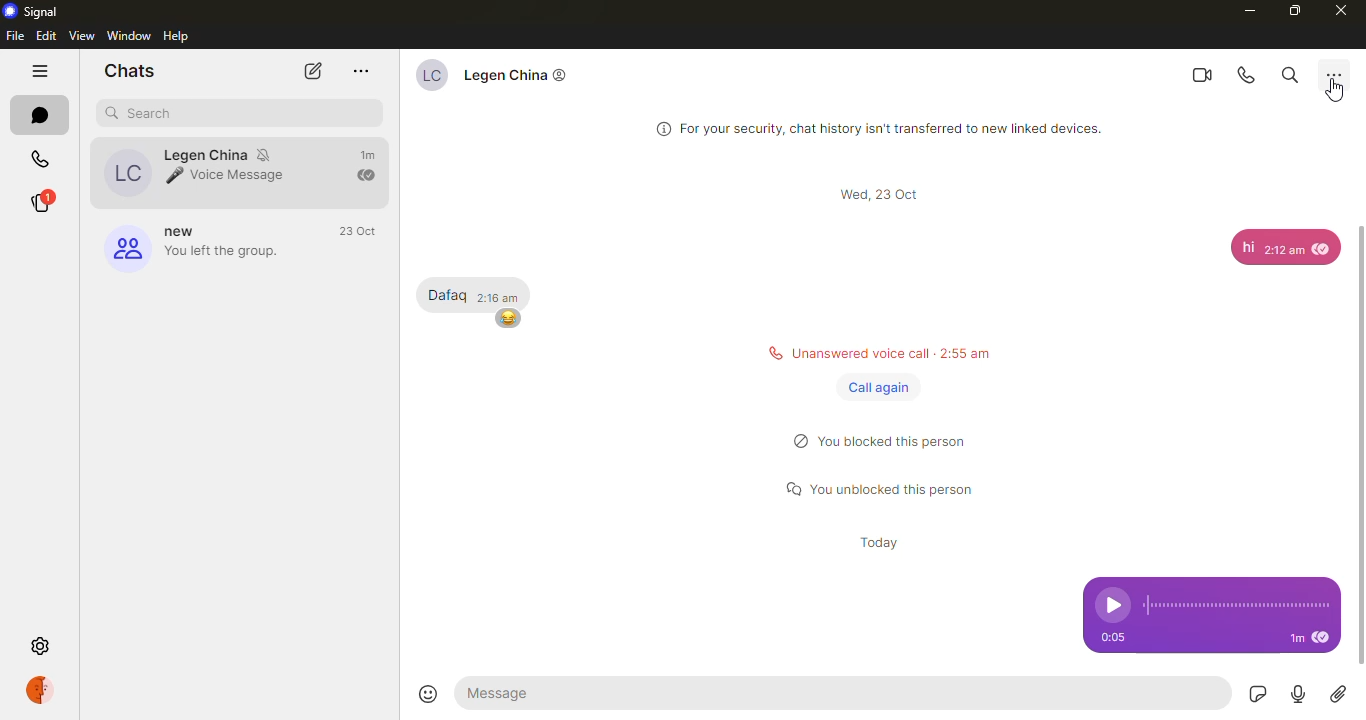  Describe the element at coordinates (1284, 249) in the screenshot. I see `time` at that location.